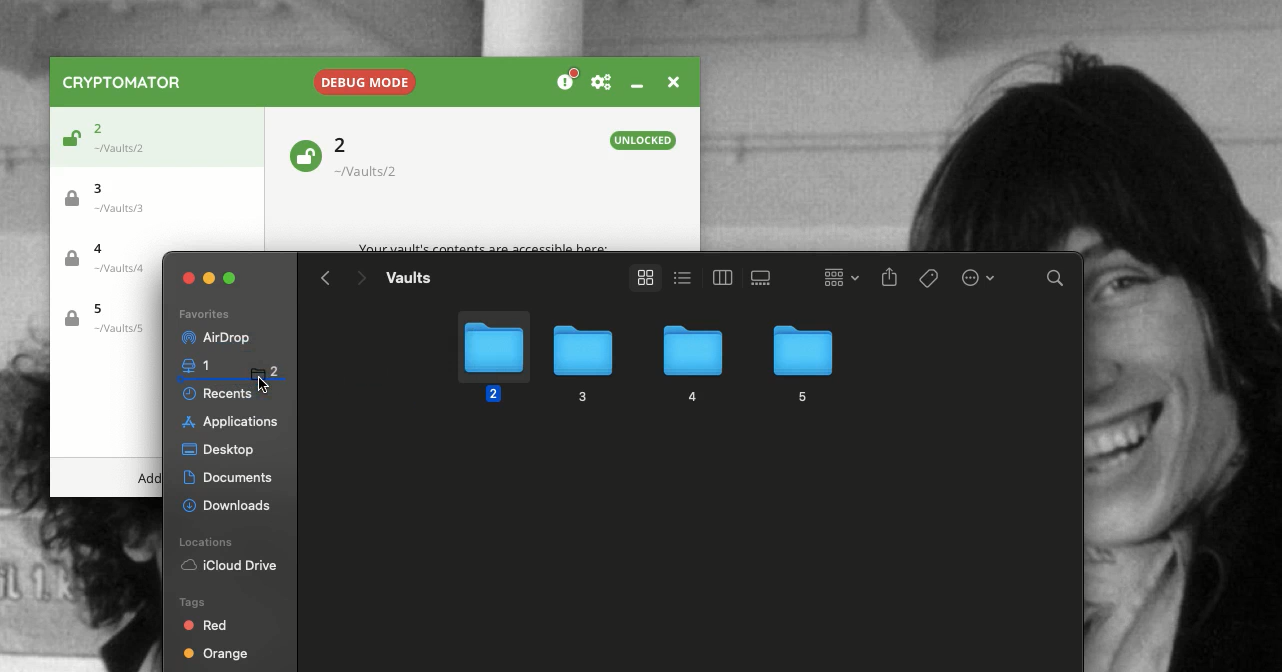  What do you see at coordinates (377, 157) in the screenshot?
I see `Vault 2` at bounding box center [377, 157].